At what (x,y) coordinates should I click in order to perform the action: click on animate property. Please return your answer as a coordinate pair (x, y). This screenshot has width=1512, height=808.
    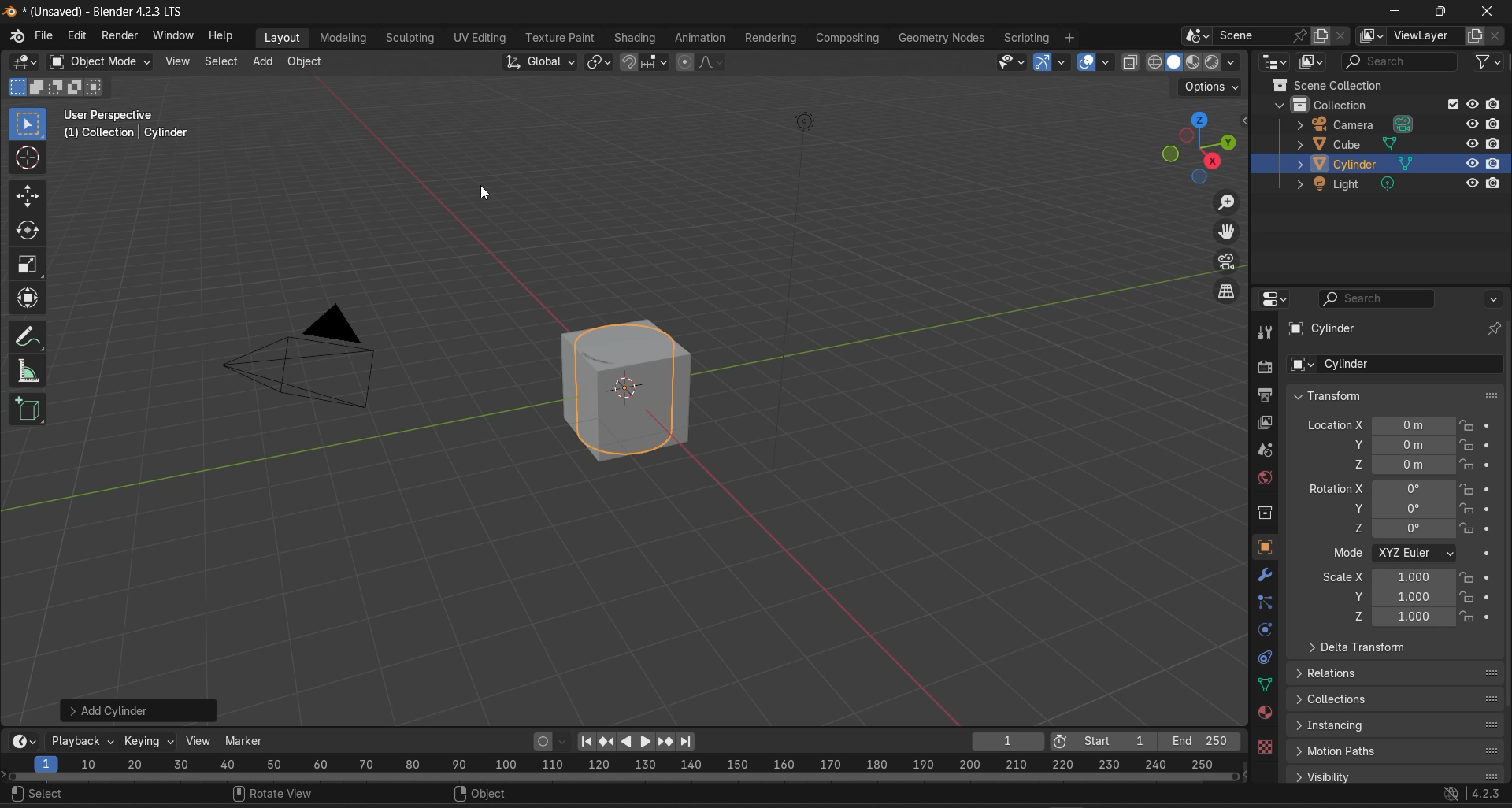
    Looking at the image, I should click on (1492, 528).